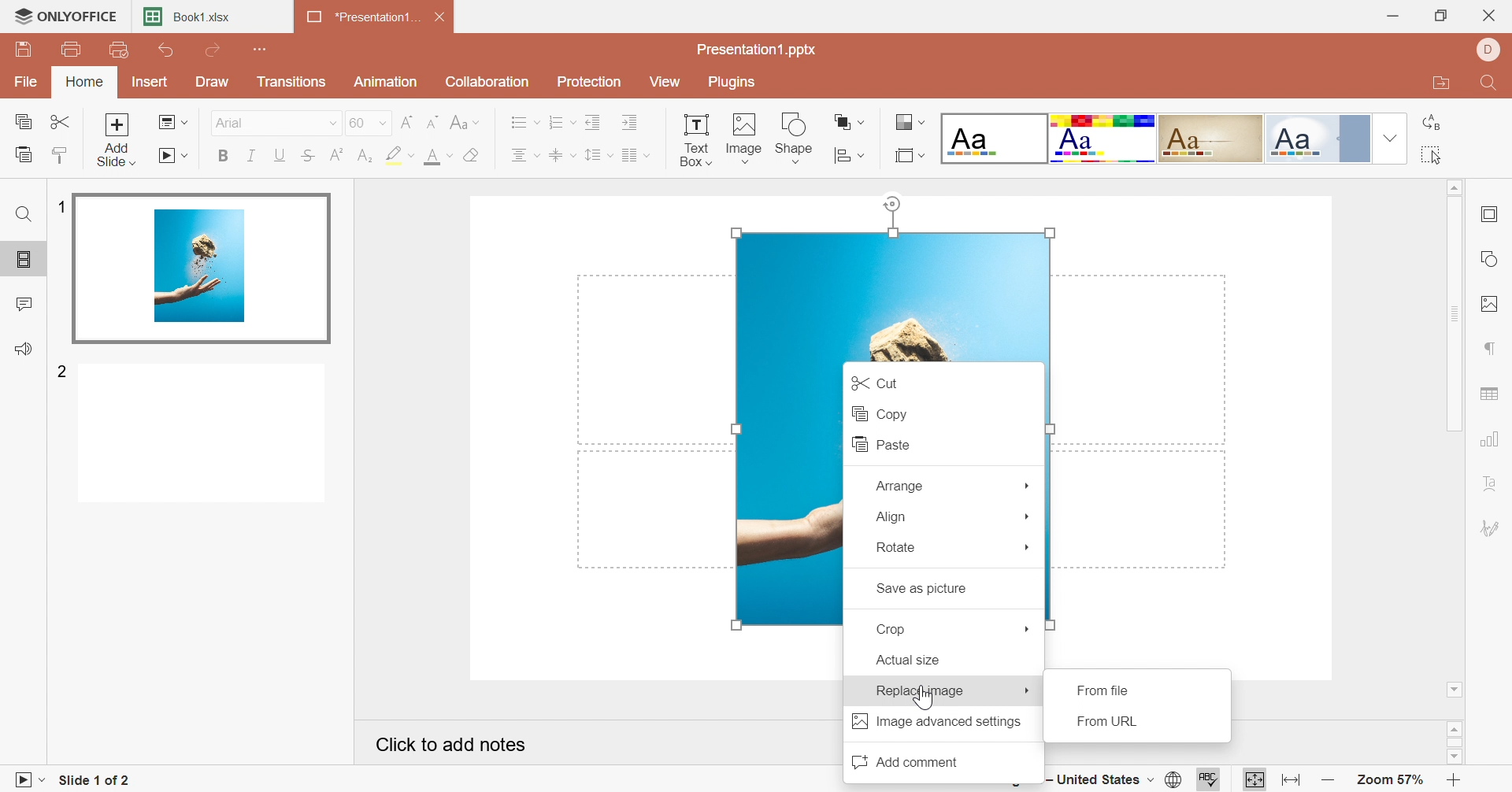 The height and width of the screenshot is (792, 1512). Describe the element at coordinates (168, 51) in the screenshot. I see `Undo` at that location.